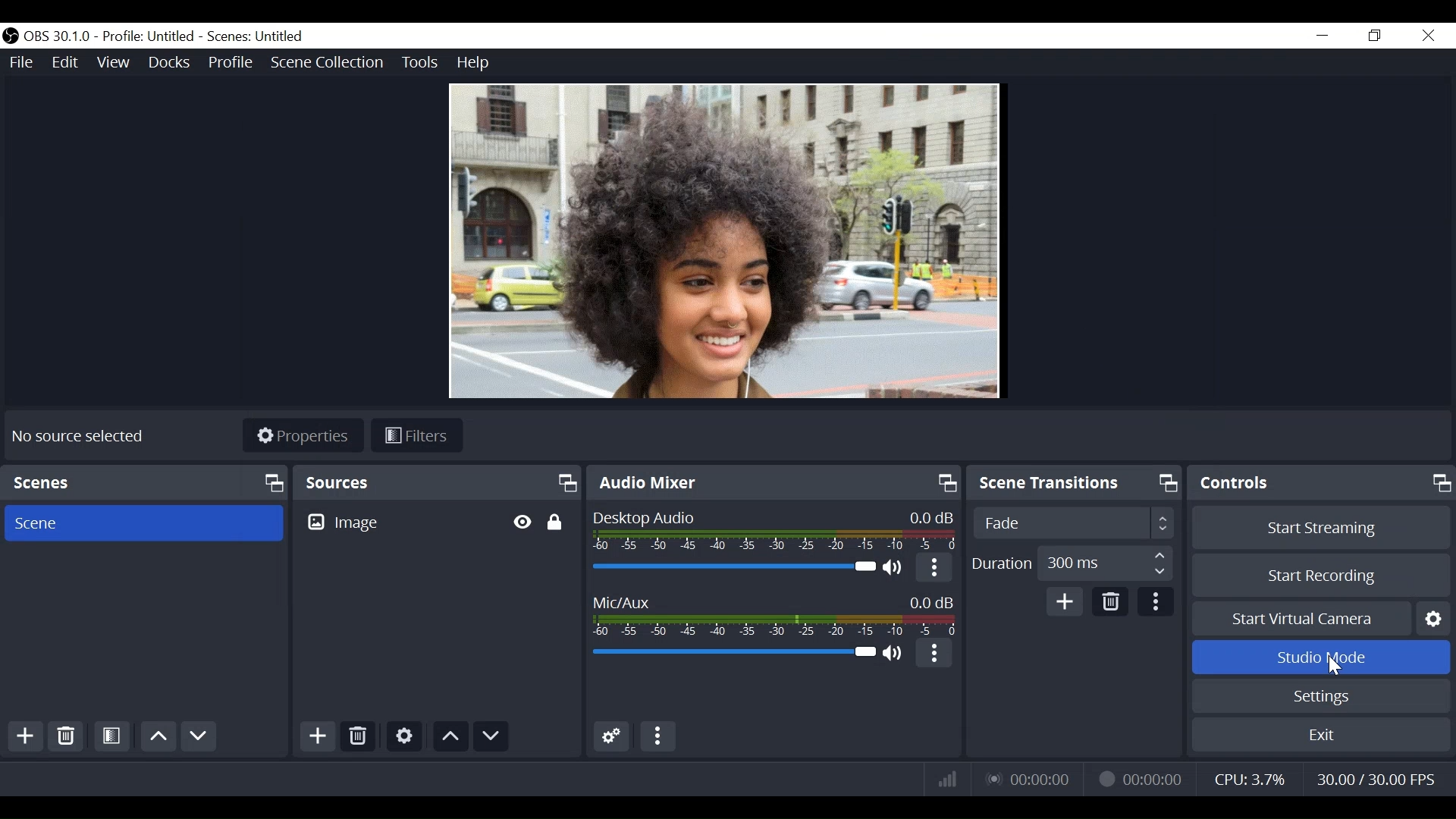  Describe the element at coordinates (1318, 572) in the screenshot. I see `Start Recording` at that location.